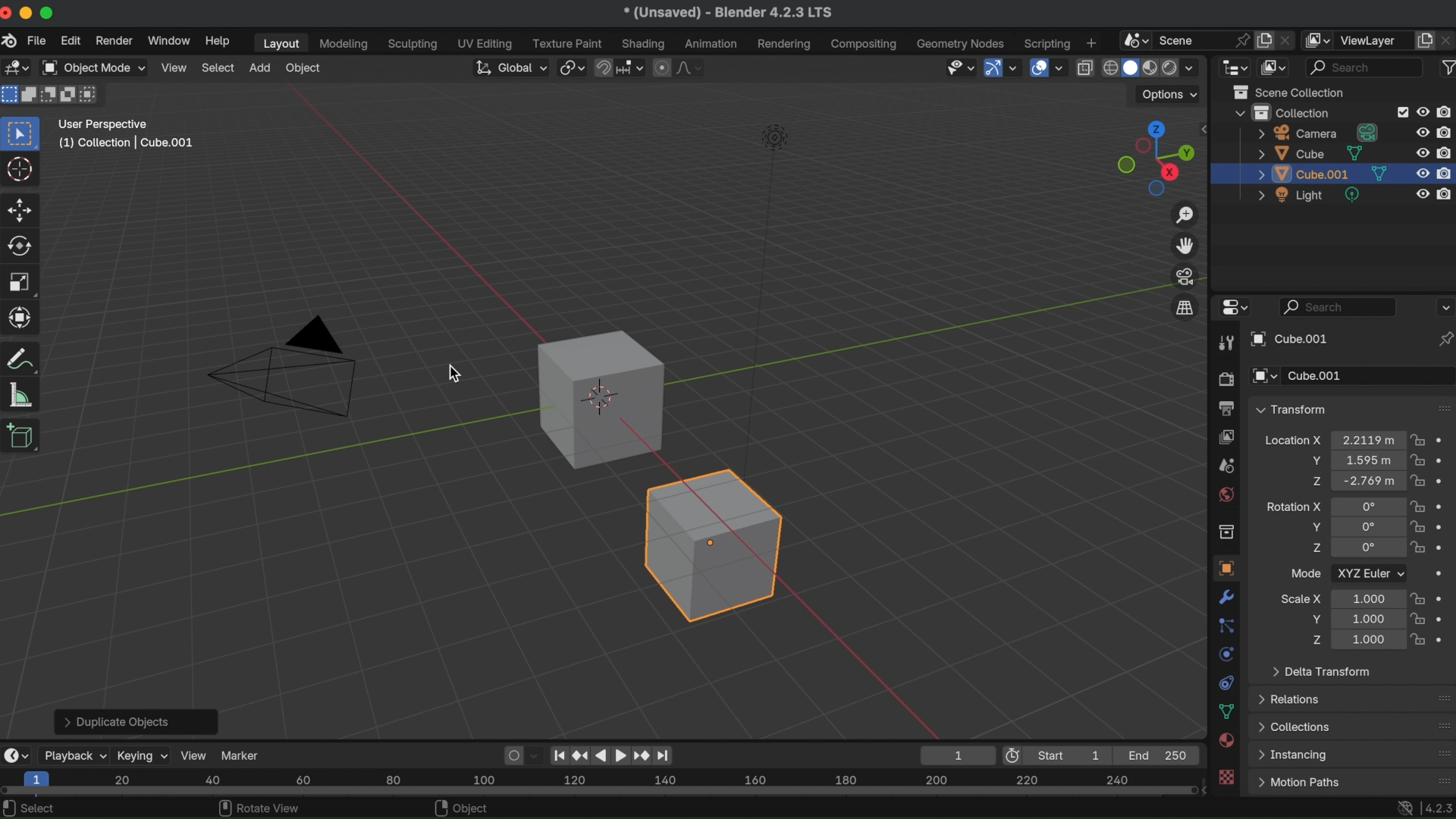 The height and width of the screenshot is (819, 1456). I want to click on viewport shading wireframe , so click(1109, 68).